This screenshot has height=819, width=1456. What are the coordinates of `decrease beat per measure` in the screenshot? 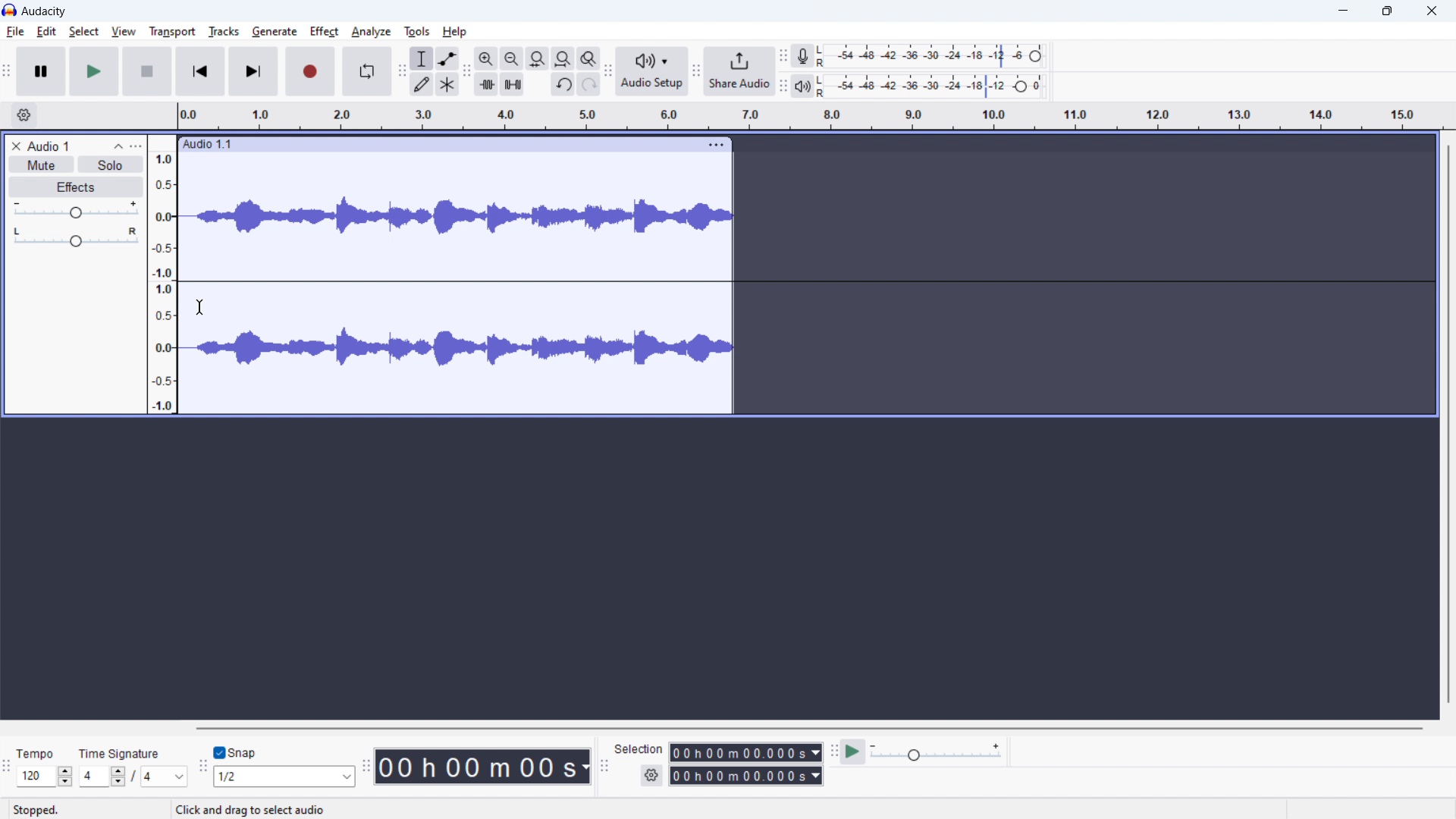 It's located at (118, 783).